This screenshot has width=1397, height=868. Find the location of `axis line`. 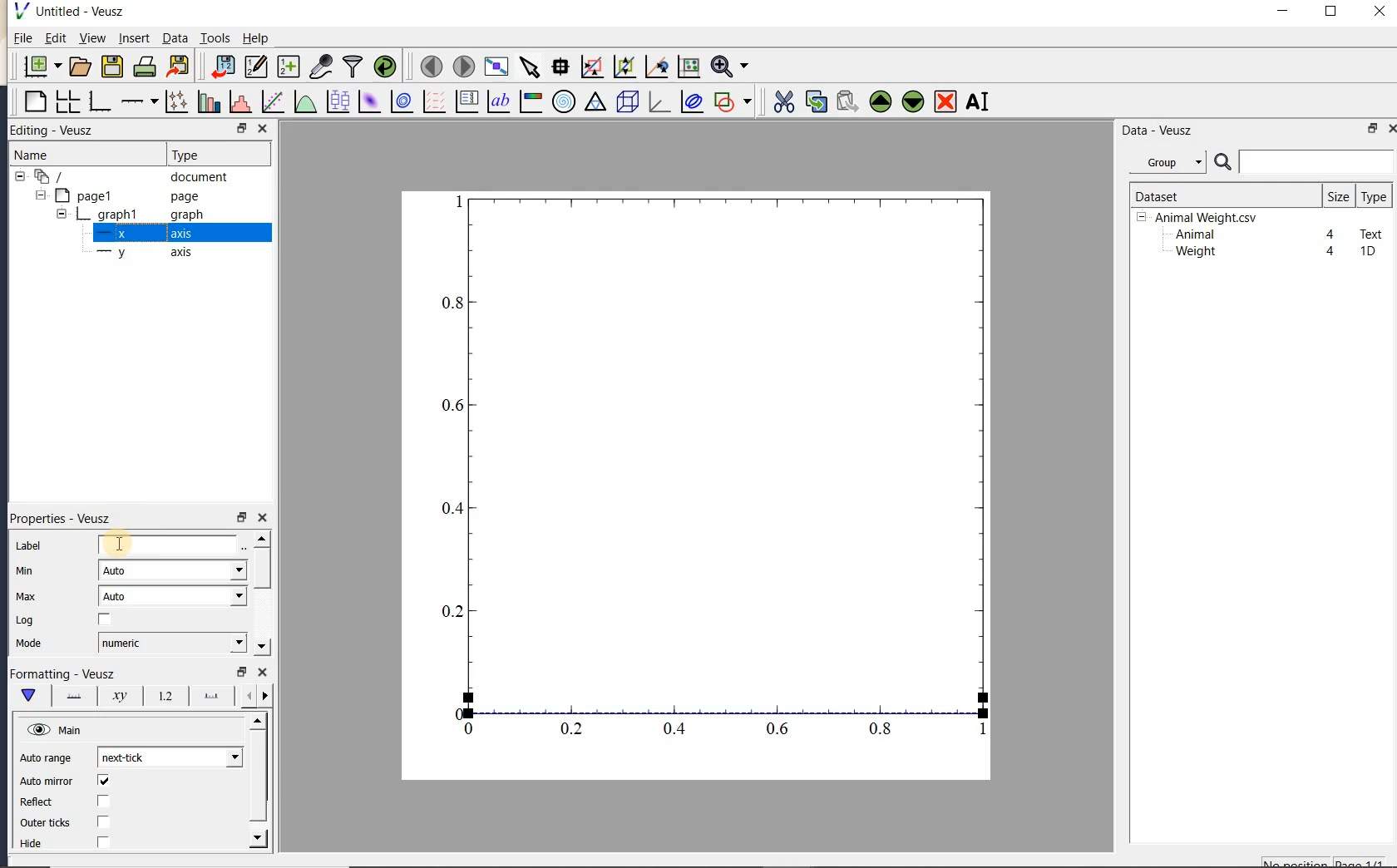

axis line is located at coordinates (71, 696).